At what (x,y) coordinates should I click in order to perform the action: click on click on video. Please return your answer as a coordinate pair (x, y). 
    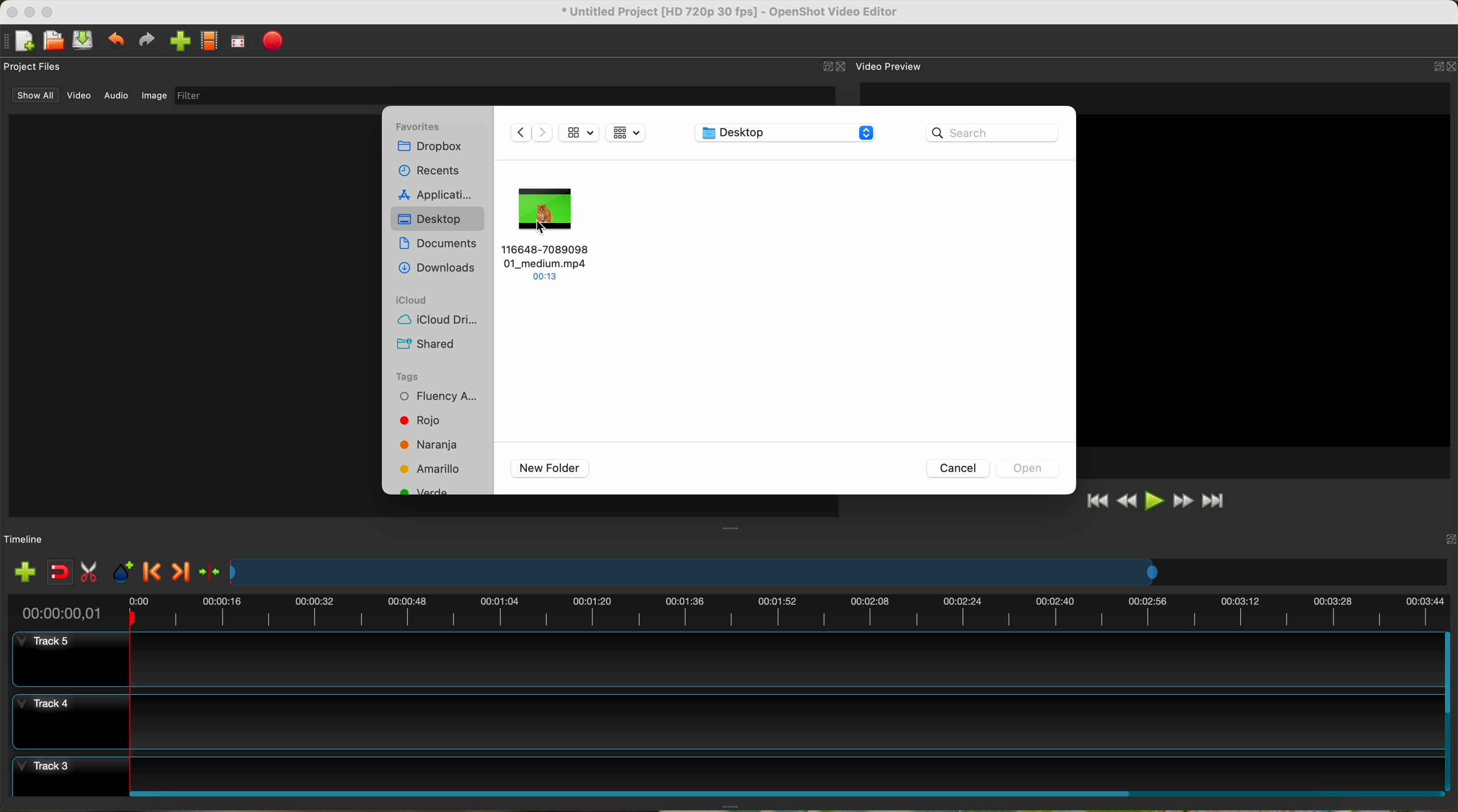
    Looking at the image, I should click on (548, 233).